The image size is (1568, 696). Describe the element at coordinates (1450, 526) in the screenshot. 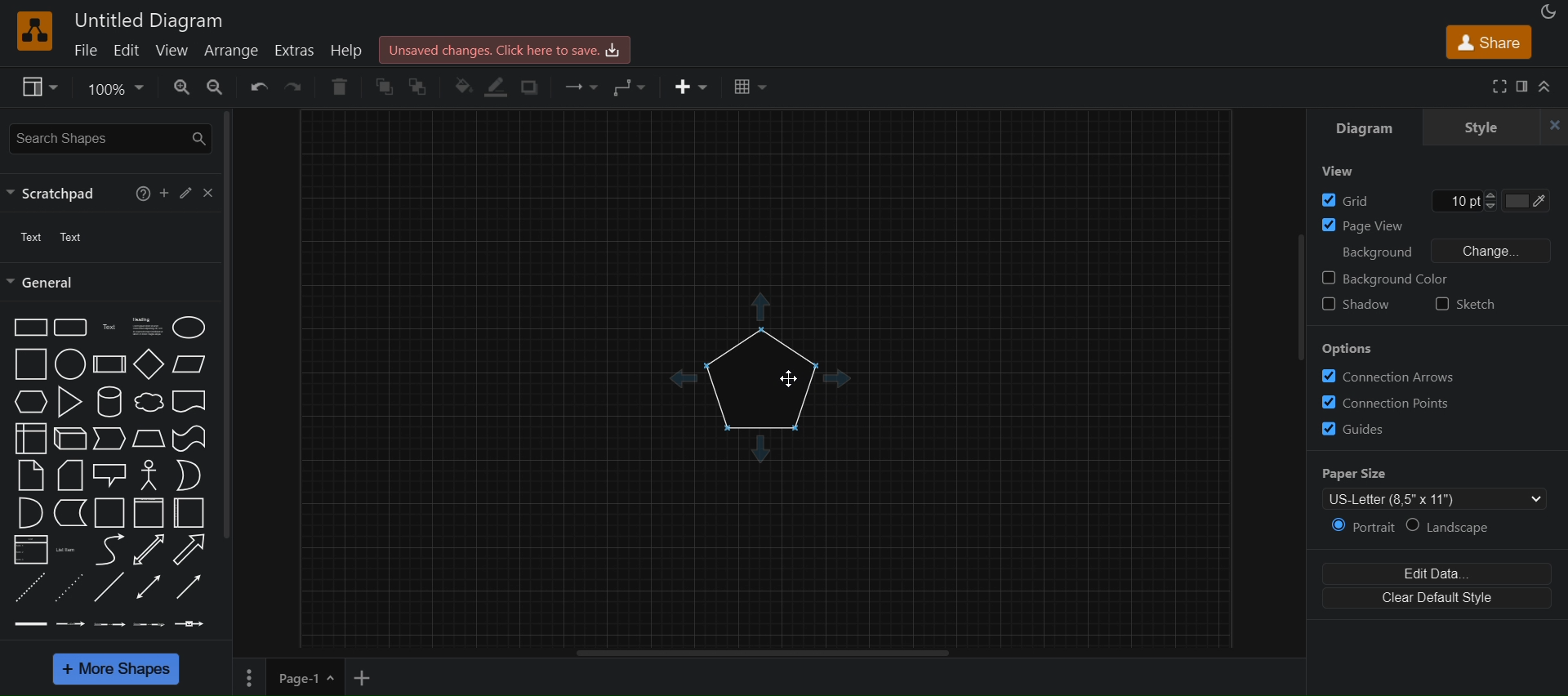

I see `Landscape` at that location.